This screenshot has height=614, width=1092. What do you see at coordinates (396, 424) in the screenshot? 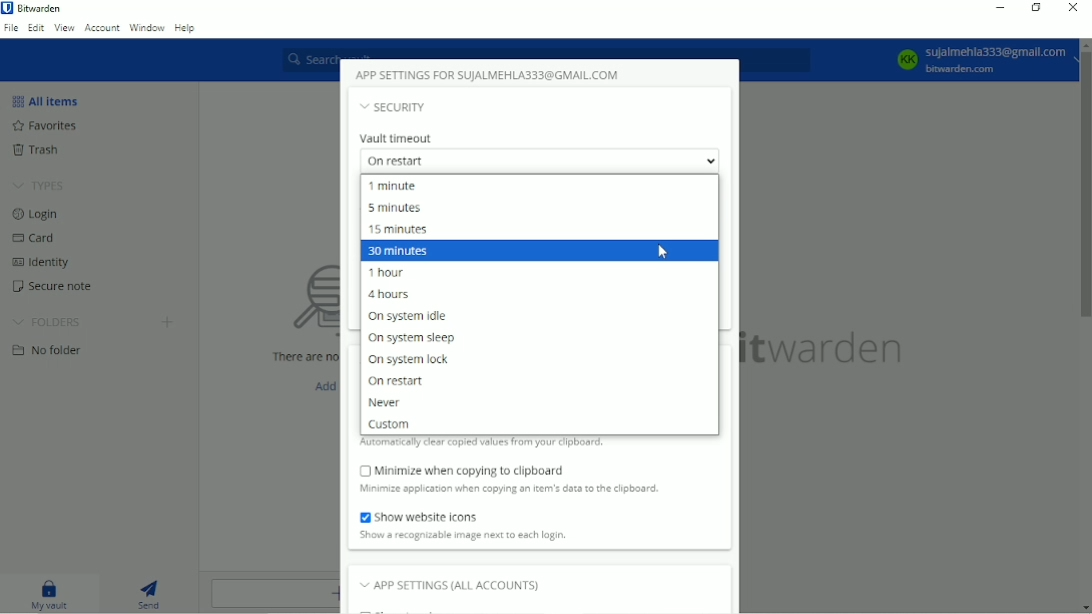
I see `Custom` at bounding box center [396, 424].